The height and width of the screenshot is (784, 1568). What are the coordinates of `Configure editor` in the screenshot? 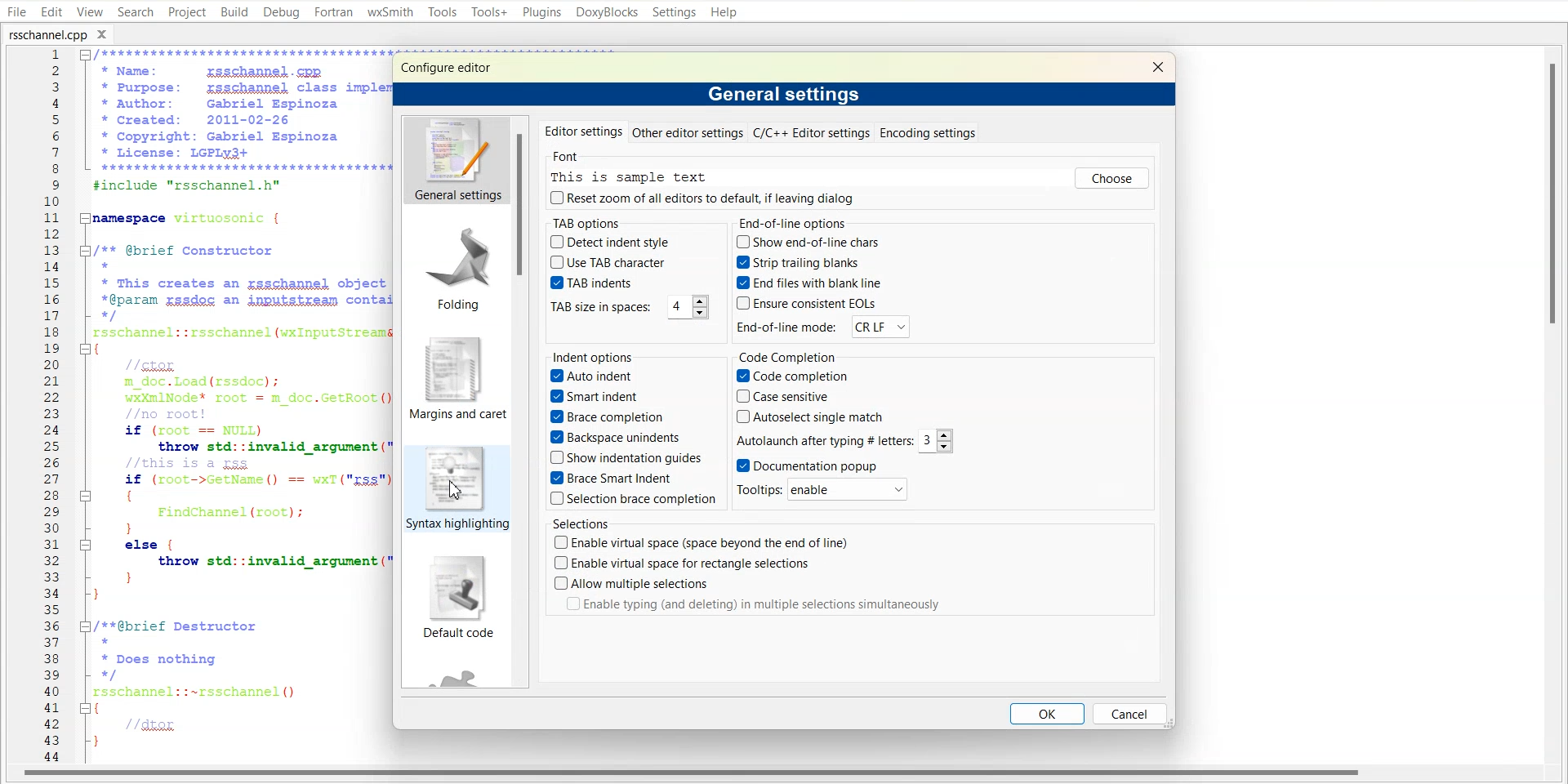 It's located at (453, 66).